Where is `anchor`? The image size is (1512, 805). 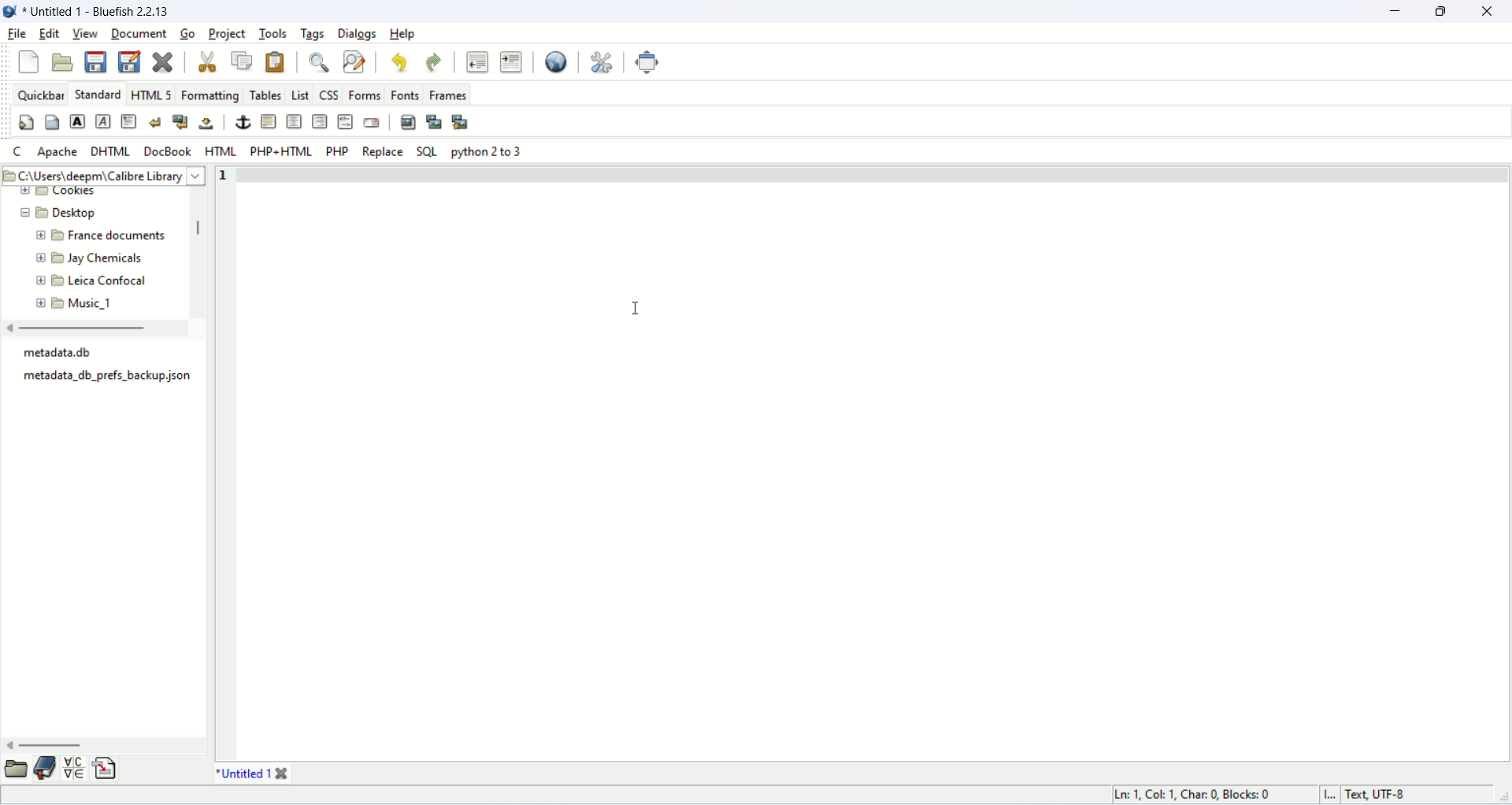 anchor is located at coordinates (242, 123).